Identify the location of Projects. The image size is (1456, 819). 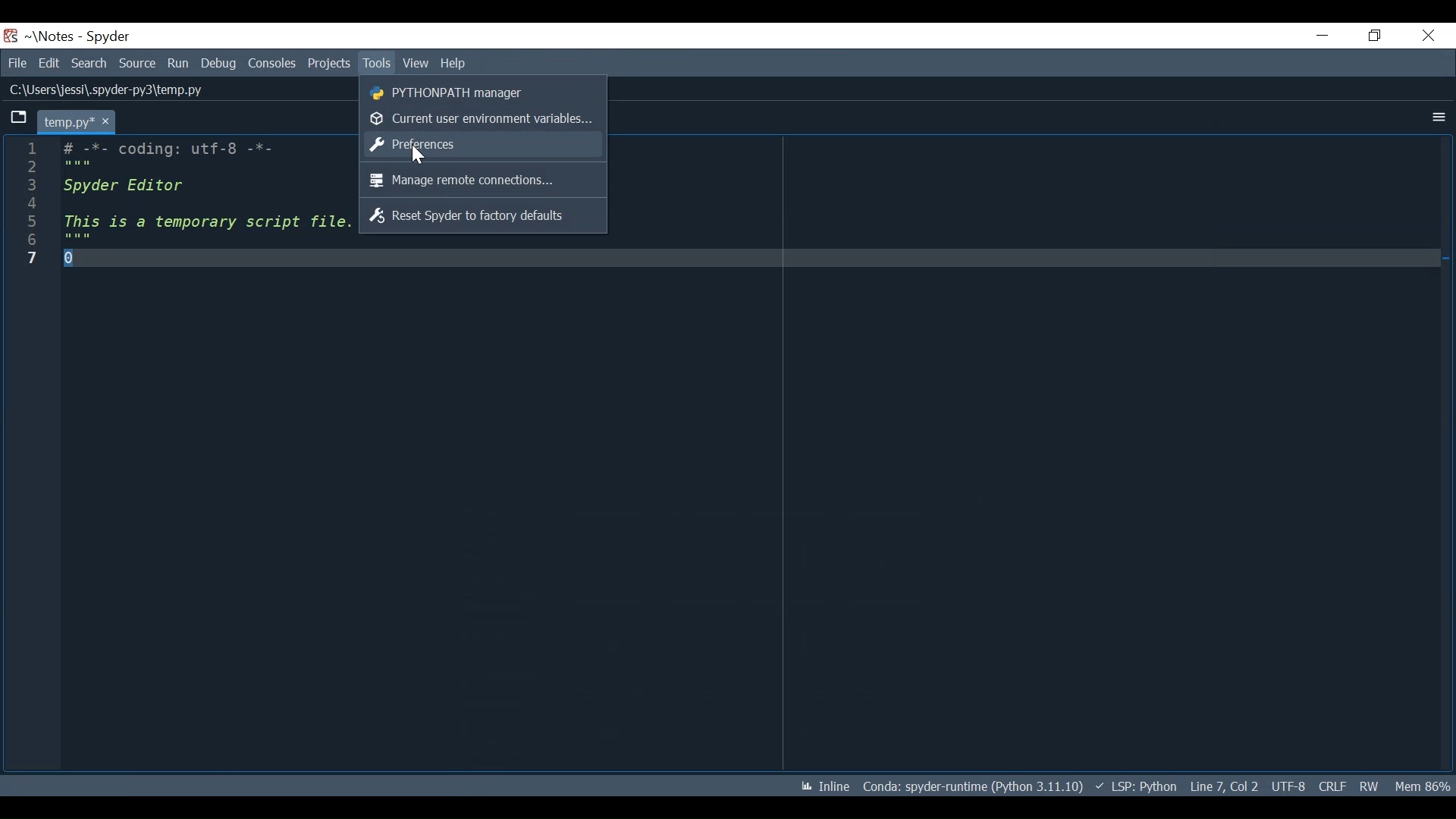
(328, 64).